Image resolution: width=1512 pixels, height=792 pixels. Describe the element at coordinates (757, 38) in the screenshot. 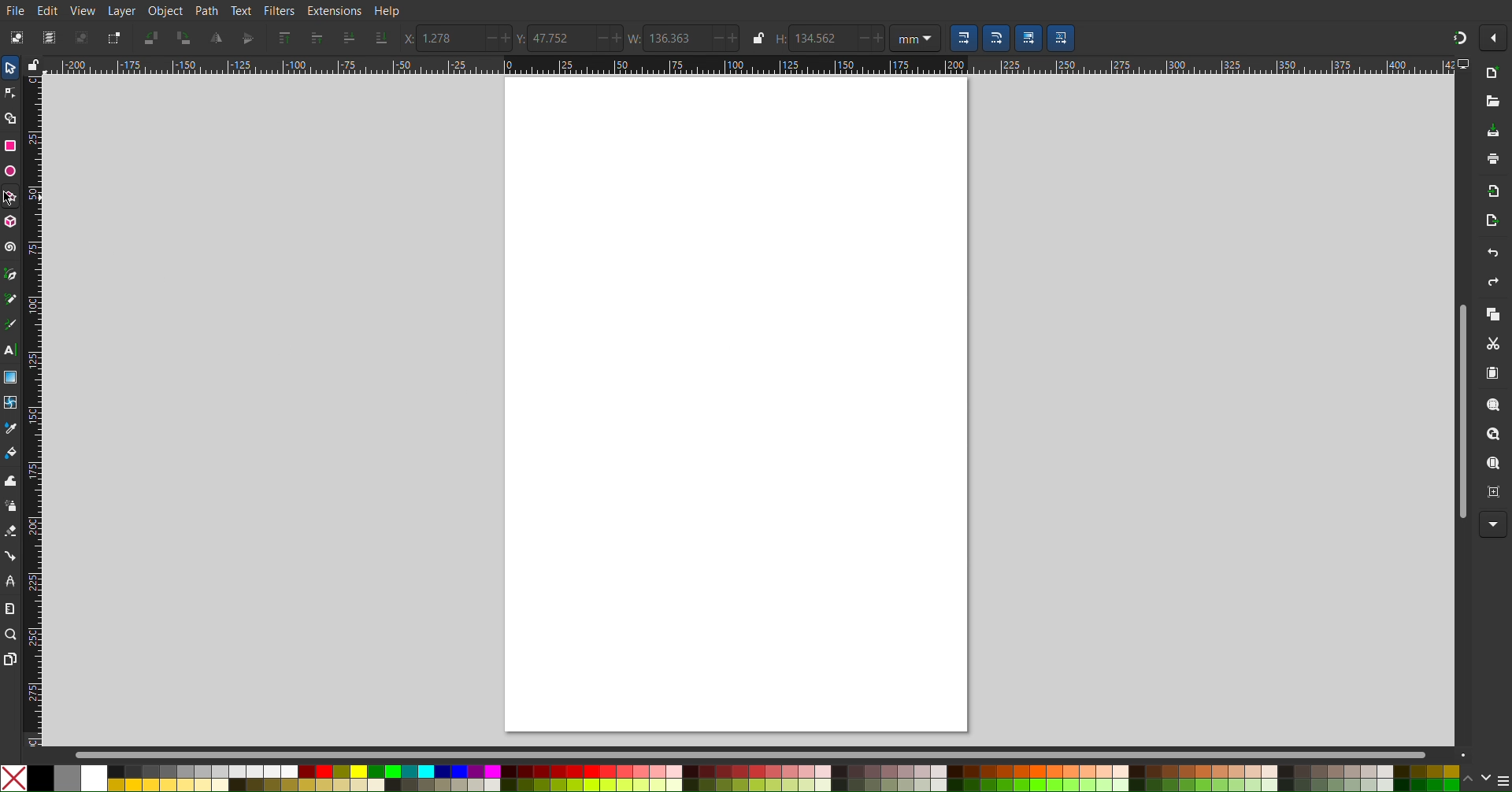

I see `lock` at that location.